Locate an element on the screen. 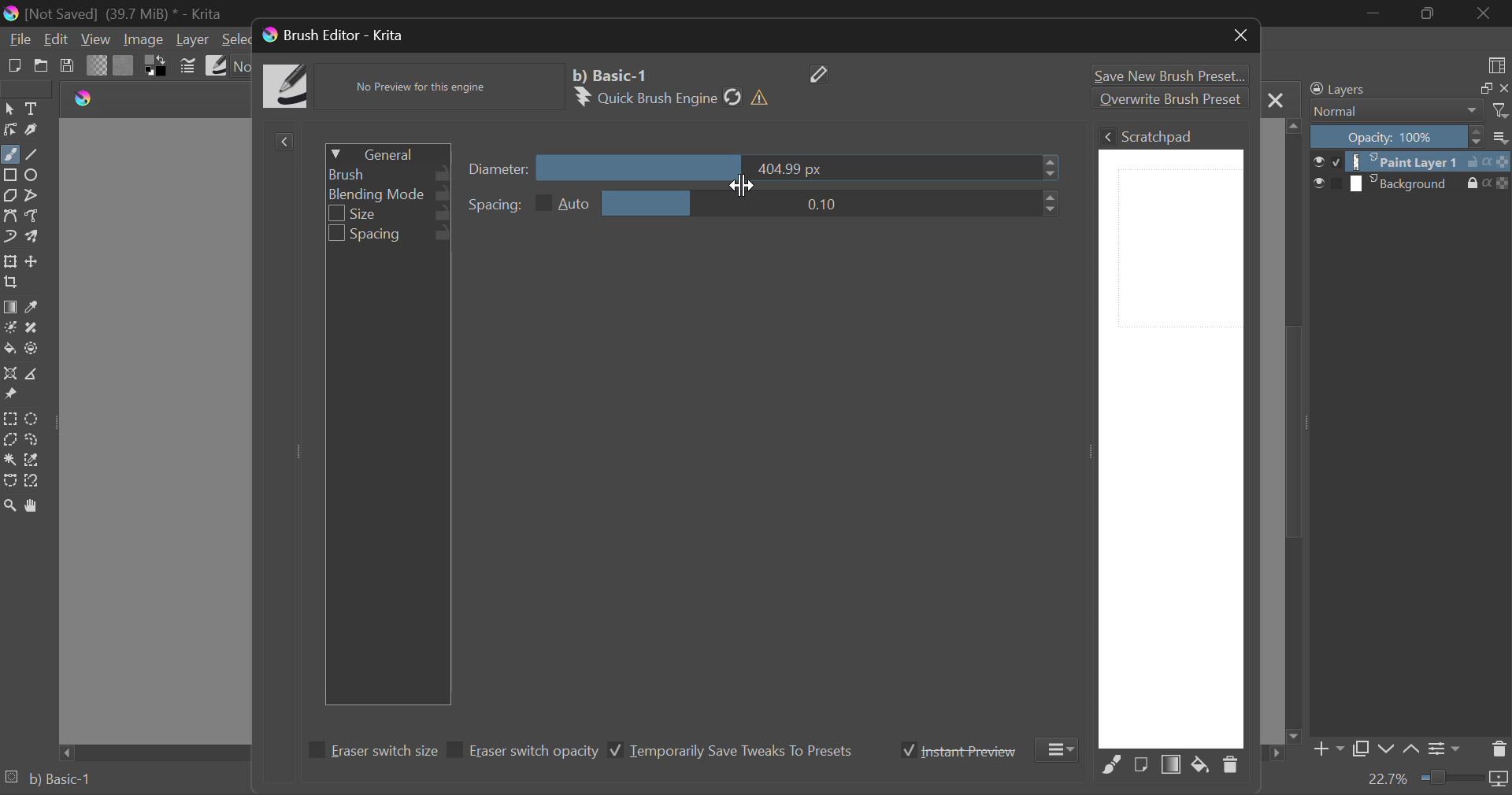 Image resolution: width=1512 pixels, height=795 pixels. Close is located at coordinates (1276, 99).